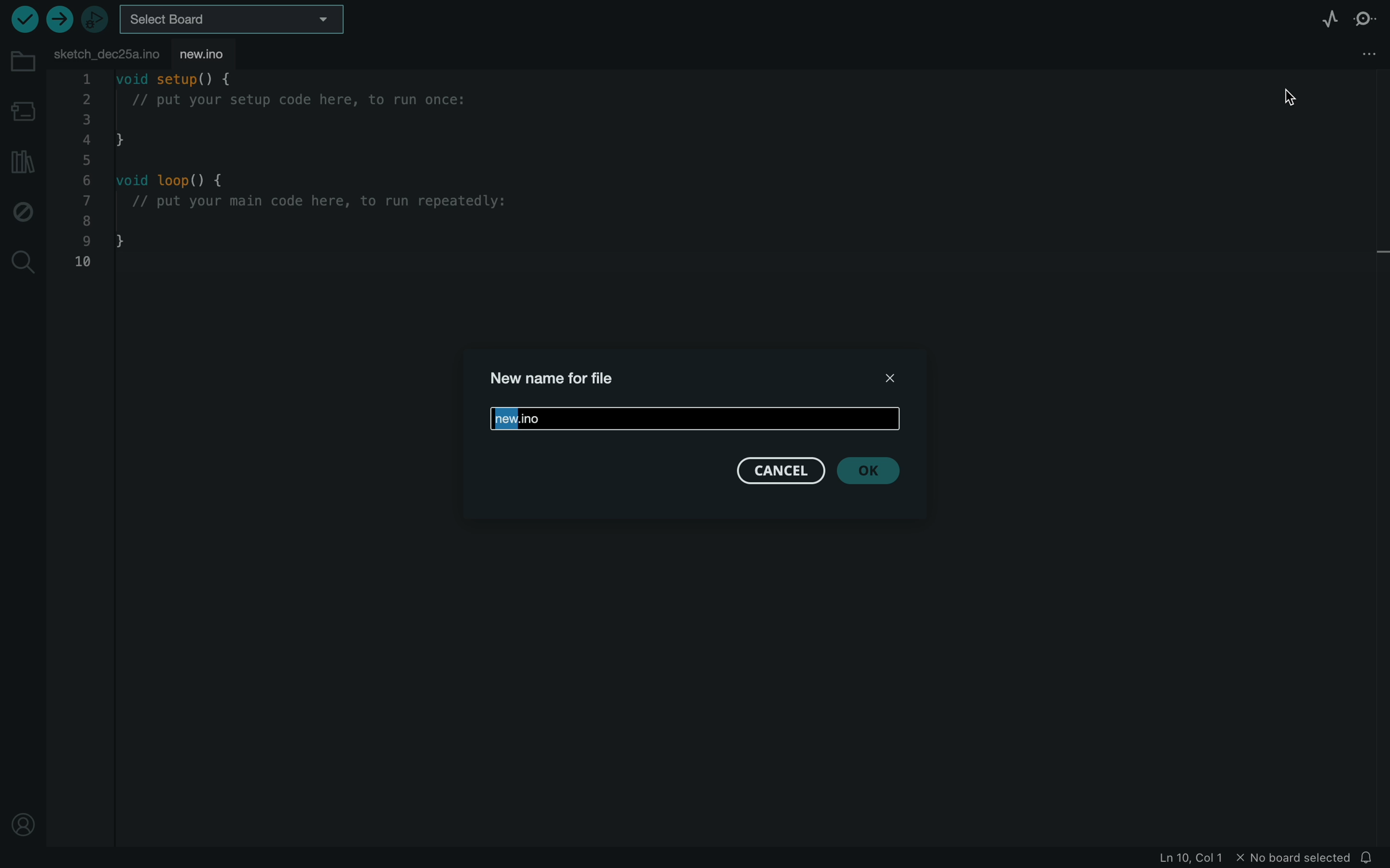 The height and width of the screenshot is (868, 1390). What do you see at coordinates (21, 61) in the screenshot?
I see `folder` at bounding box center [21, 61].